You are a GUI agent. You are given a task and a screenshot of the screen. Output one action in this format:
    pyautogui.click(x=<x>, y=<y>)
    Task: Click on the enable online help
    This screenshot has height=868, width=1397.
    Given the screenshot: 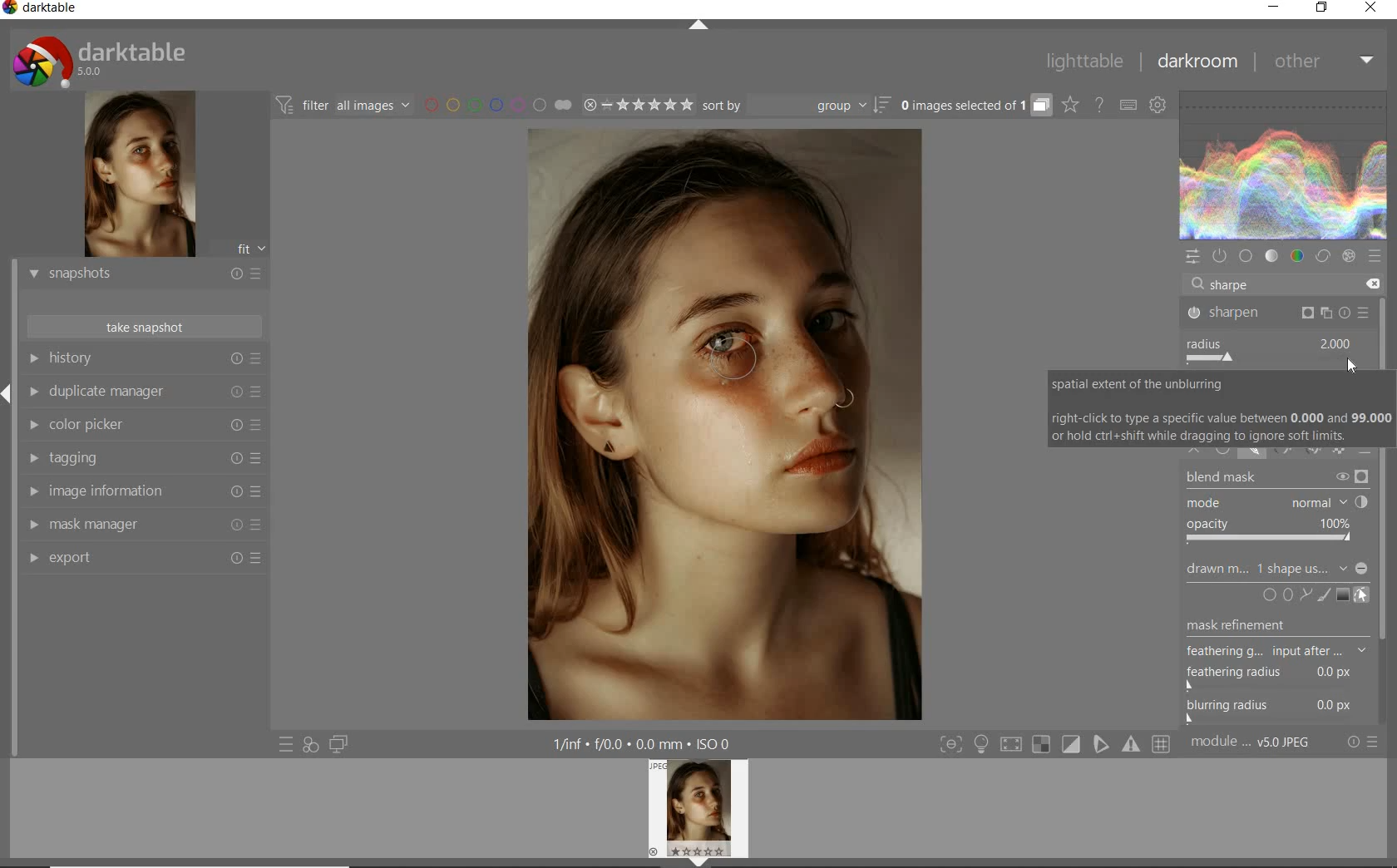 What is the action you would take?
    pyautogui.click(x=1100, y=106)
    